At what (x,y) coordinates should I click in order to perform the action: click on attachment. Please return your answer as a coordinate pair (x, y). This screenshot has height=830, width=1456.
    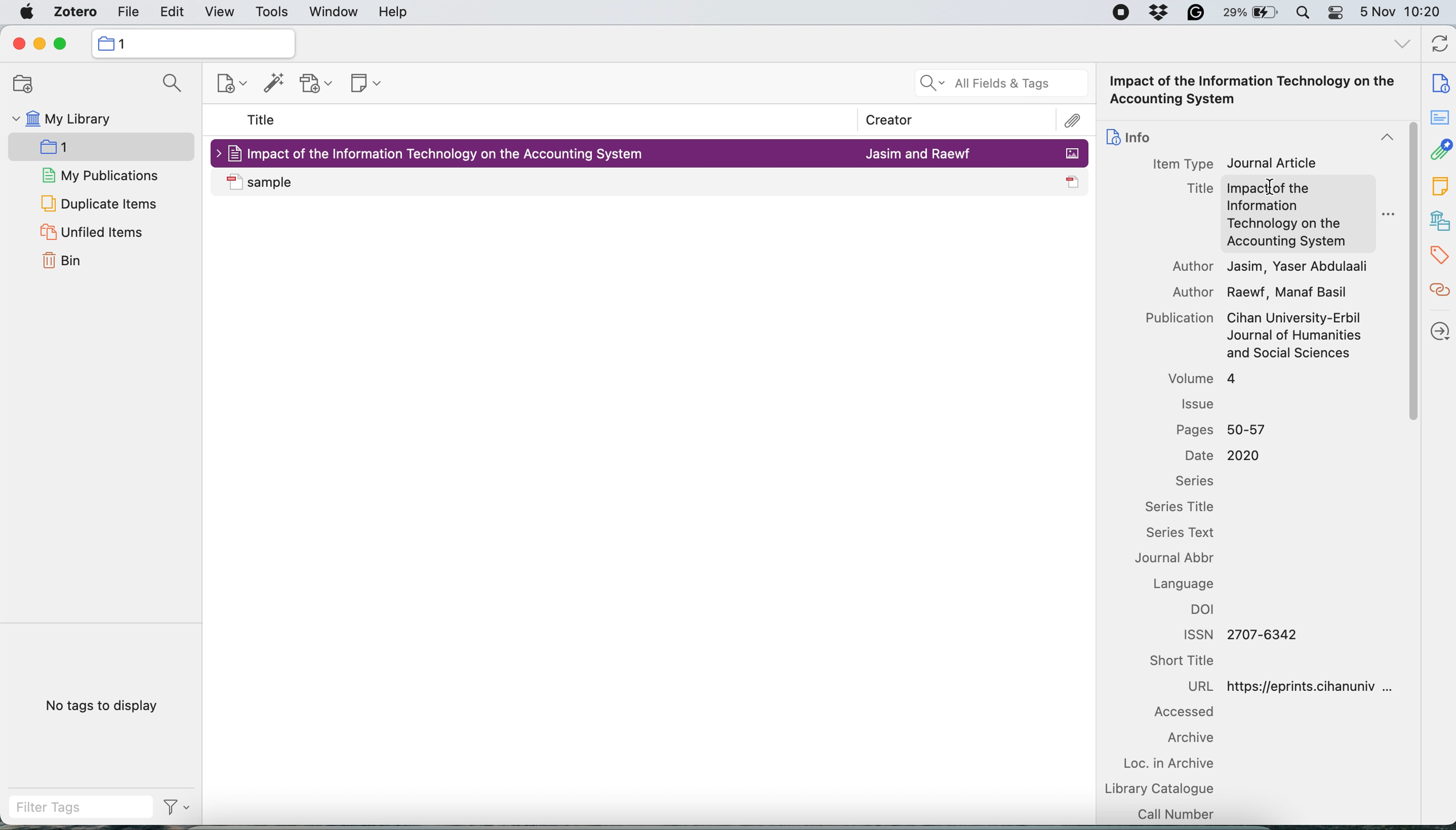
    Looking at the image, I should click on (1439, 150).